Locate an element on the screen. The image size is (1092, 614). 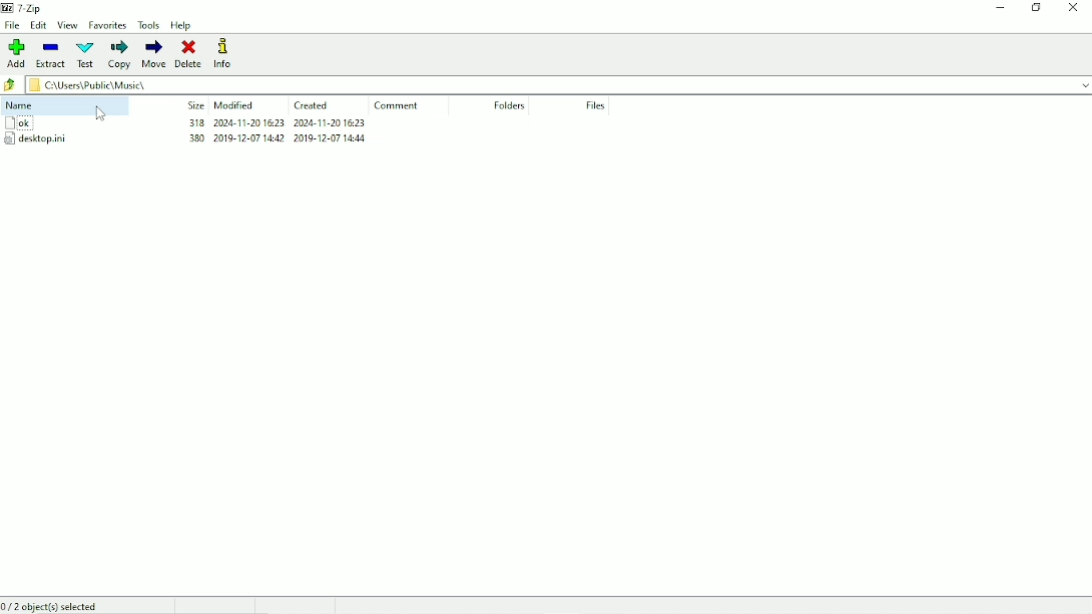
Edit is located at coordinates (39, 25).